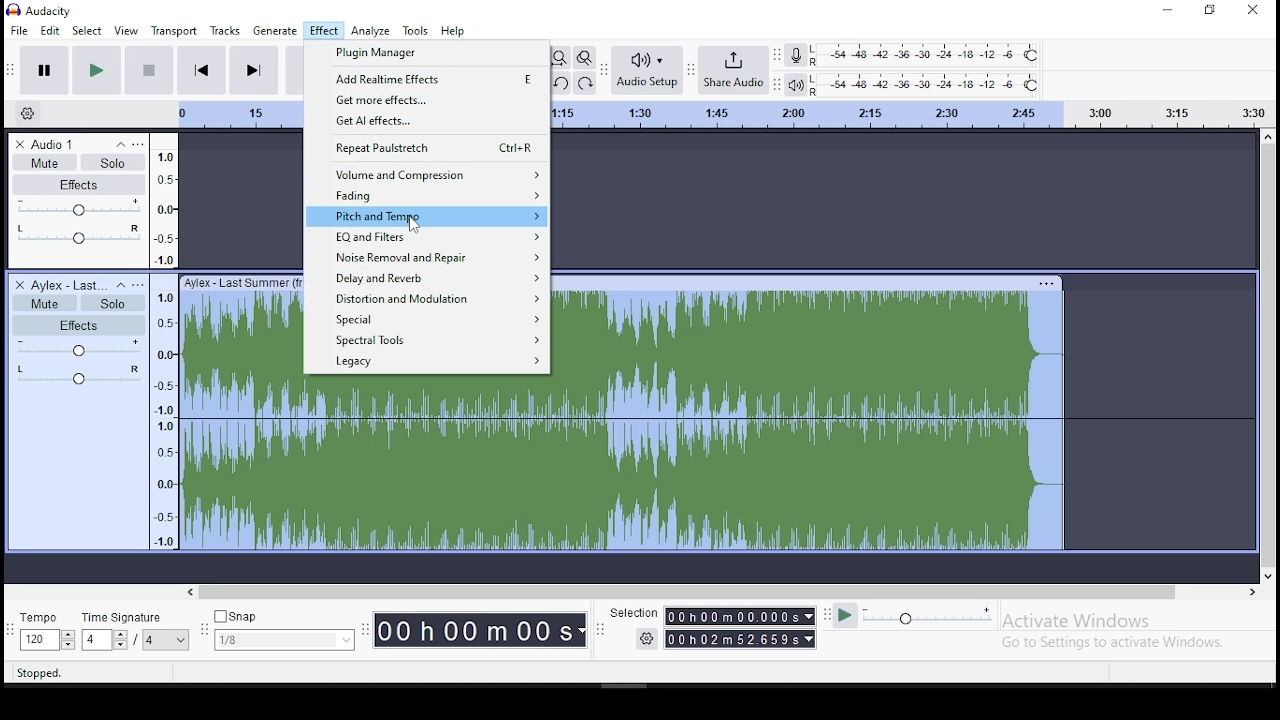  What do you see at coordinates (126, 32) in the screenshot?
I see `view` at bounding box center [126, 32].